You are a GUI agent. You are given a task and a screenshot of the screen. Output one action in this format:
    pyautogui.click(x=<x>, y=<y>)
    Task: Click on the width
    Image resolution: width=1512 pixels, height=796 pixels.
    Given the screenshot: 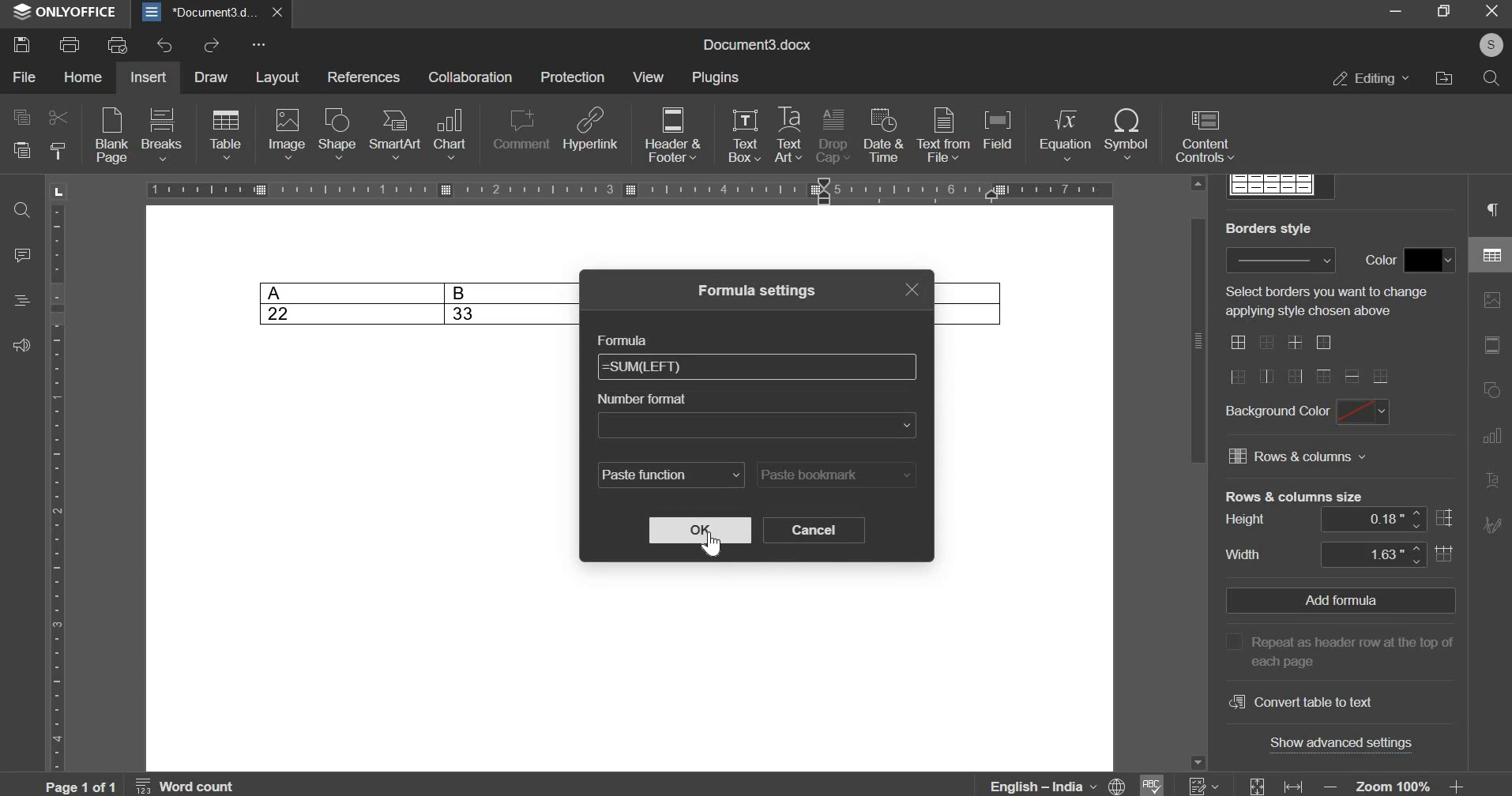 What is the action you would take?
    pyautogui.click(x=1244, y=554)
    